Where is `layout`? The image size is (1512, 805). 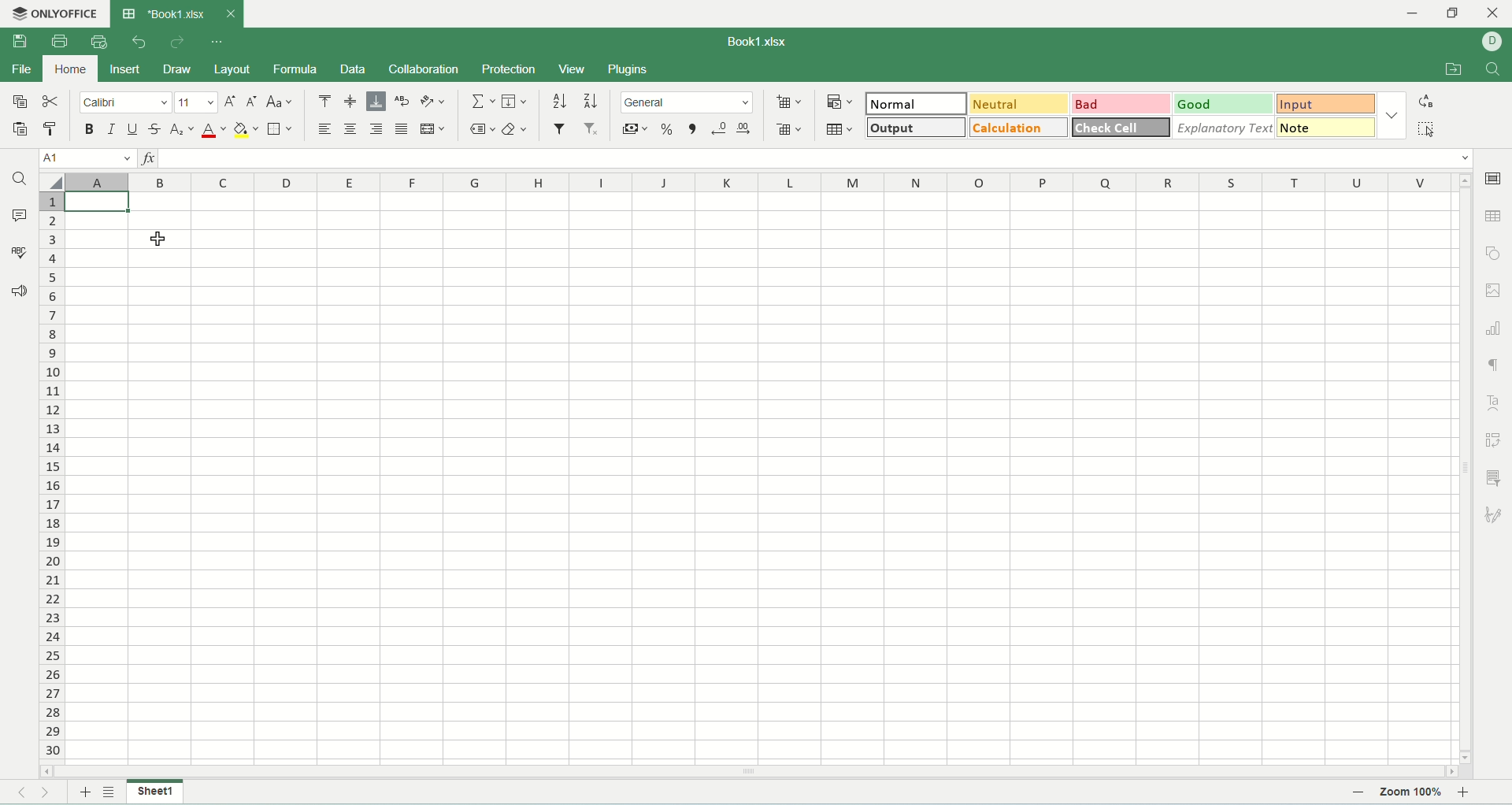 layout is located at coordinates (232, 71).